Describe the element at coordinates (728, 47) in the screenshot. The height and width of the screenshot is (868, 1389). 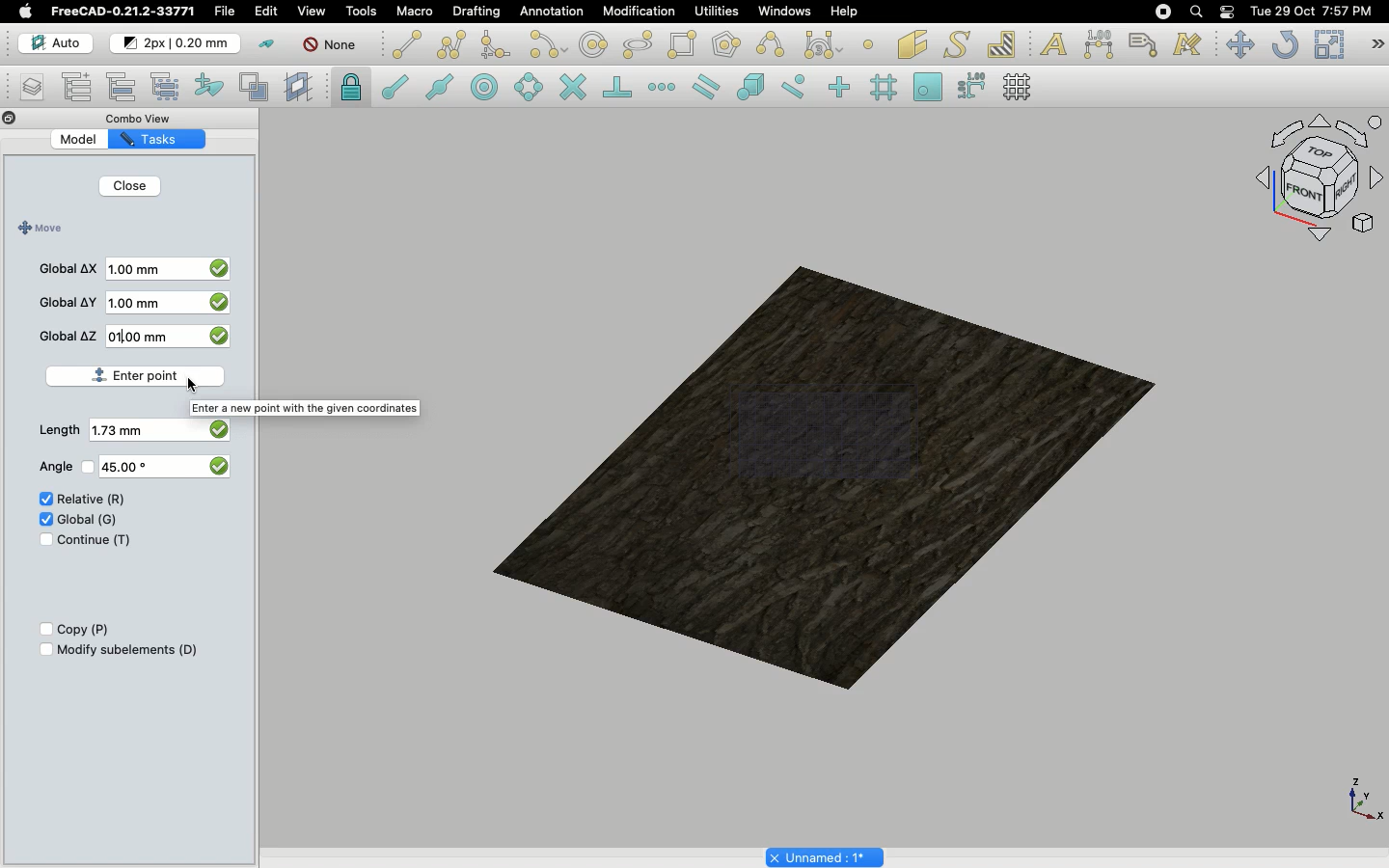
I see `Polygon` at that location.